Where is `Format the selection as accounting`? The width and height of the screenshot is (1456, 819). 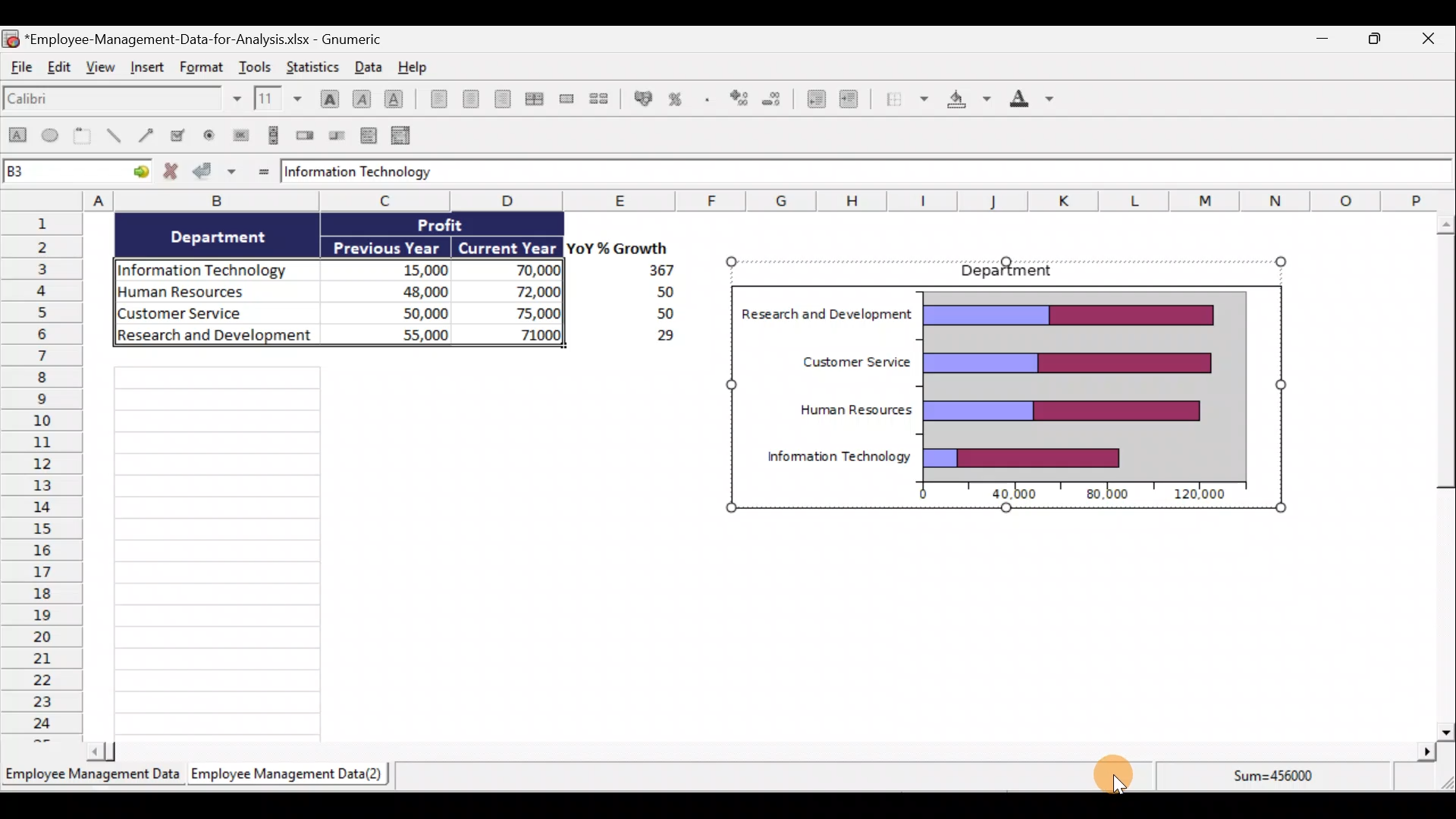 Format the selection as accounting is located at coordinates (644, 99).